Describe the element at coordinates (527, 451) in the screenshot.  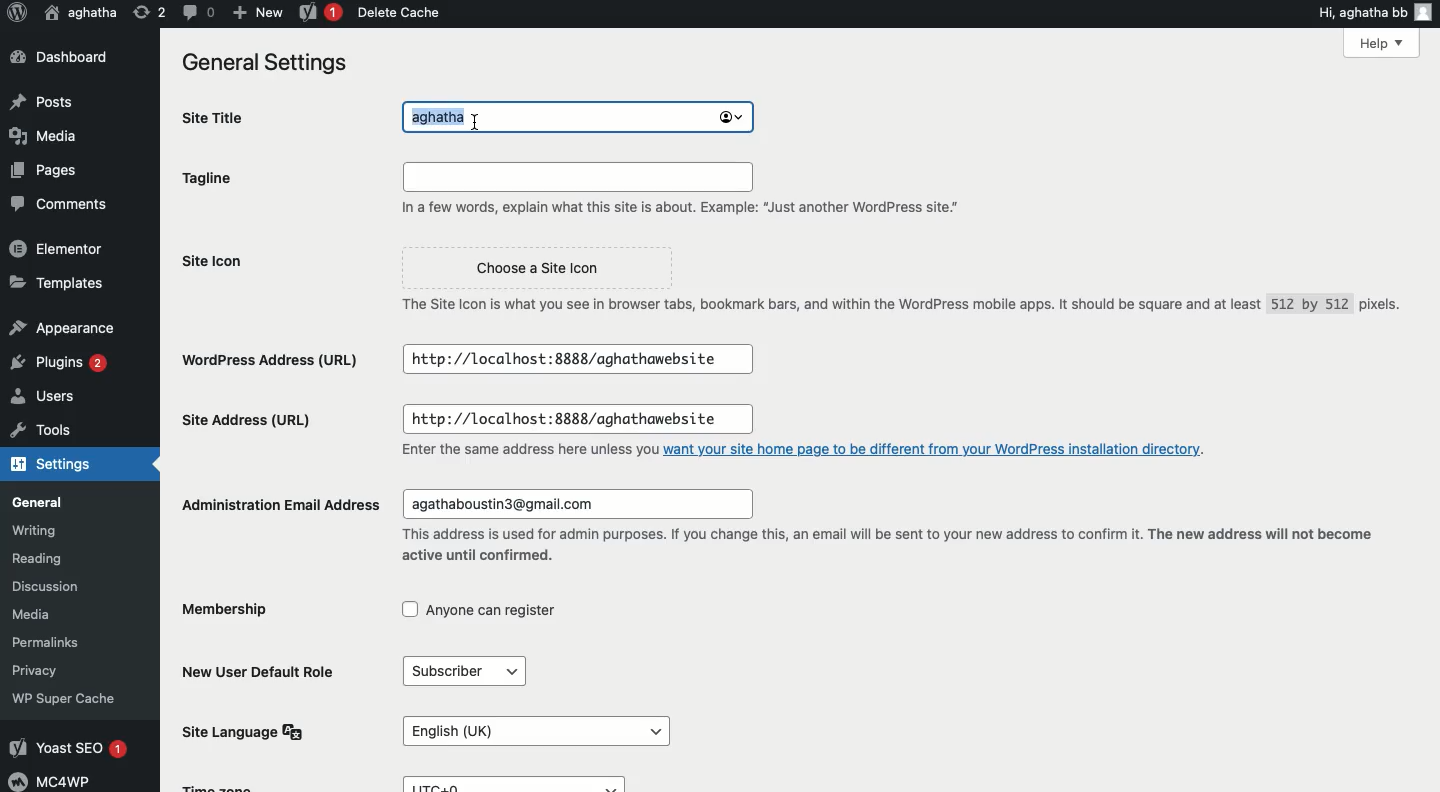
I see `Enter the same address here unless you` at that location.